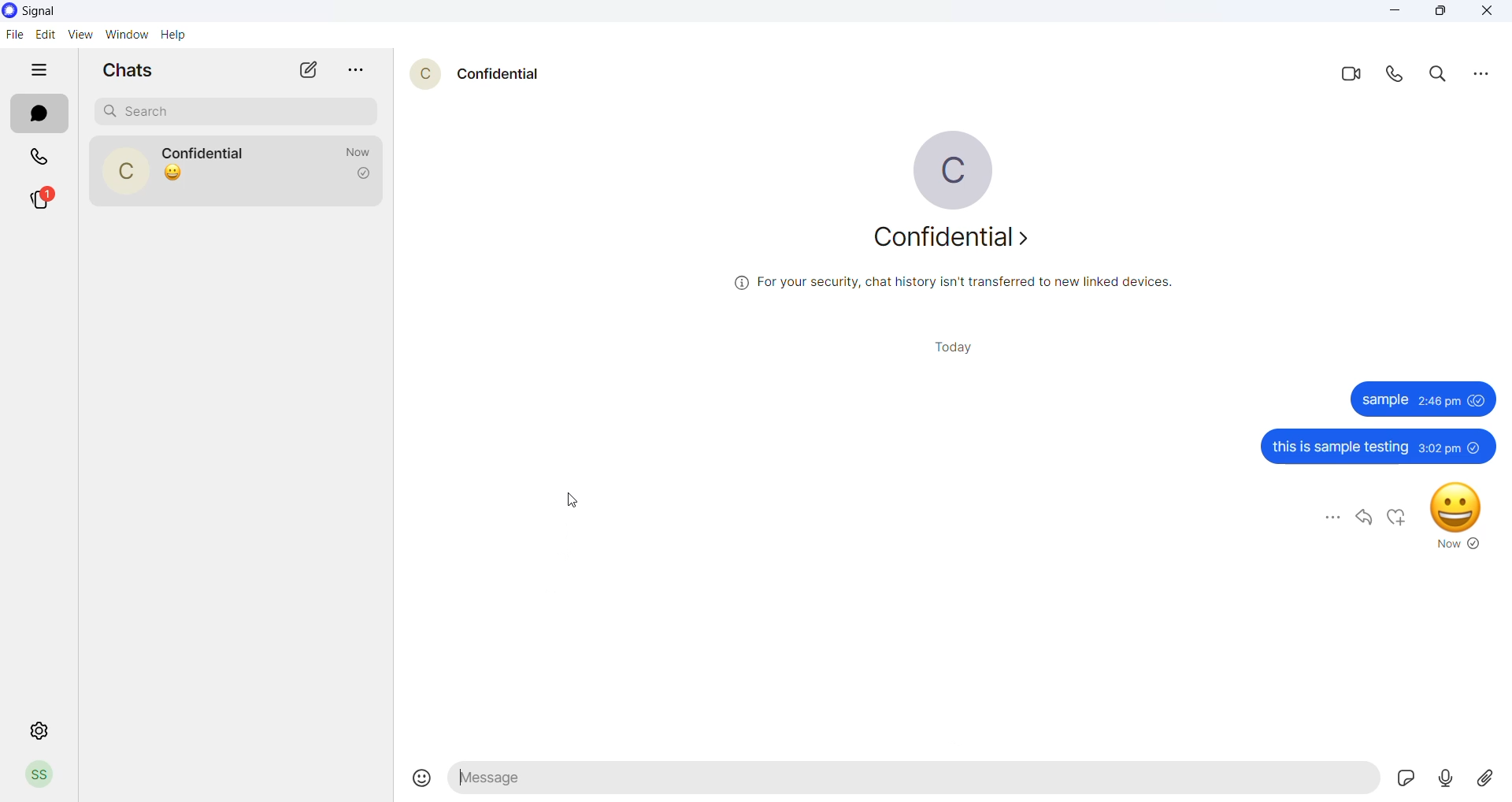  I want to click on about contact, so click(957, 242).